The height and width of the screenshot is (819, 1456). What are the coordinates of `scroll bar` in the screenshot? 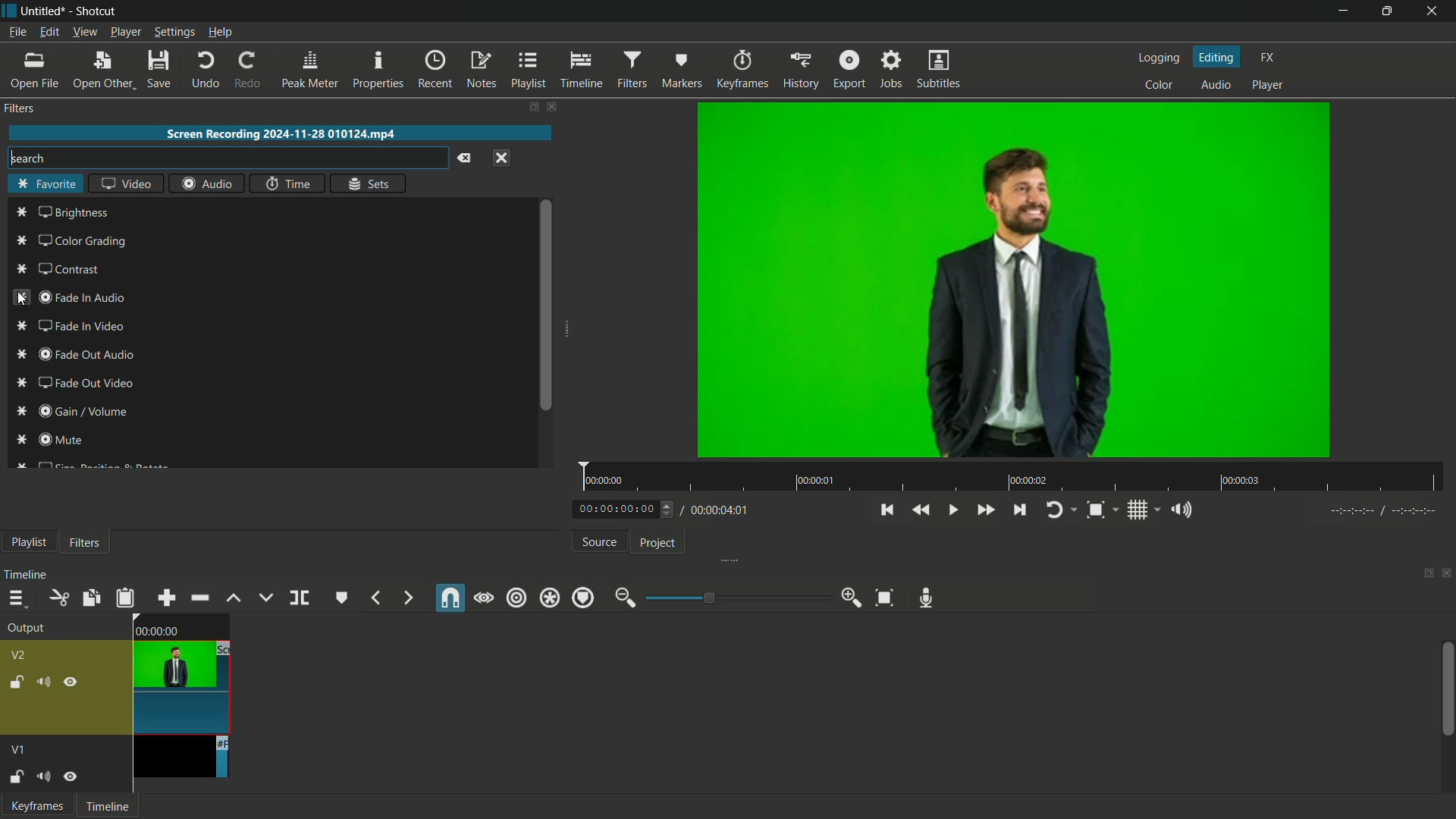 It's located at (1447, 689).